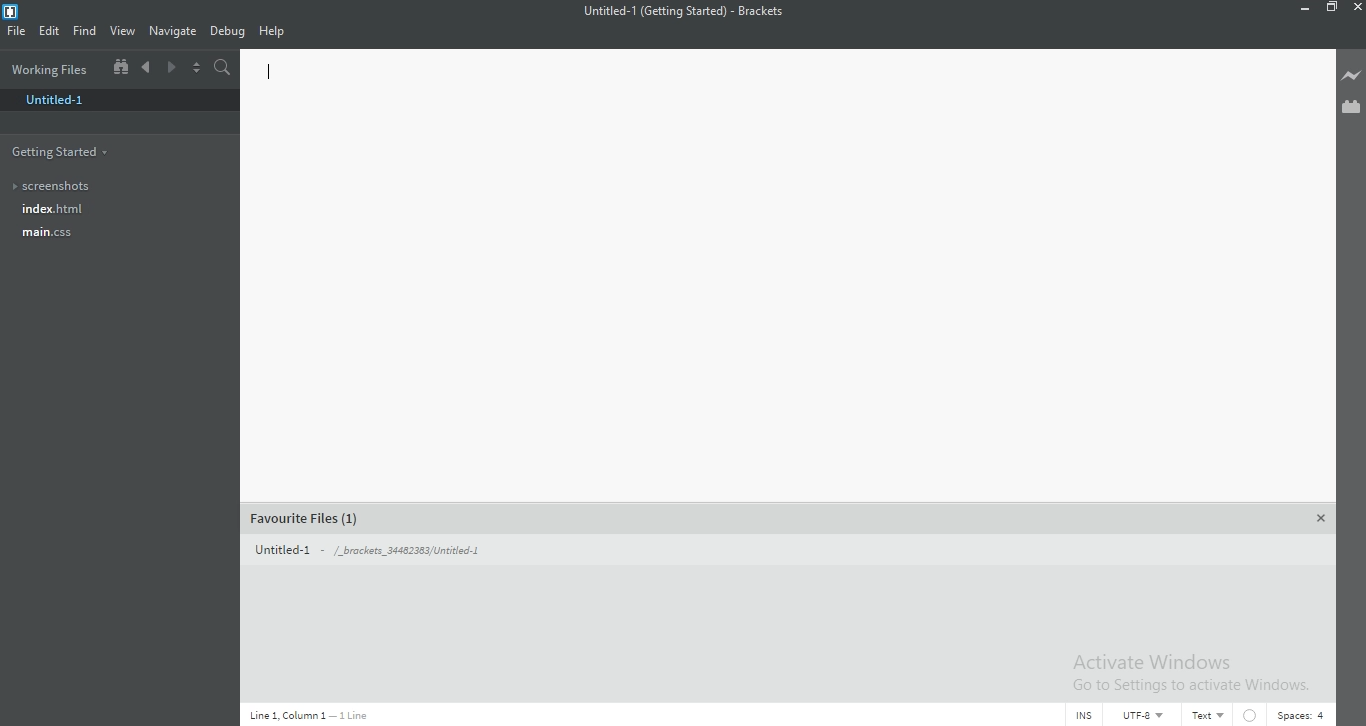  What do you see at coordinates (788, 274) in the screenshot?
I see `Editor` at bounding box center [788, 274].